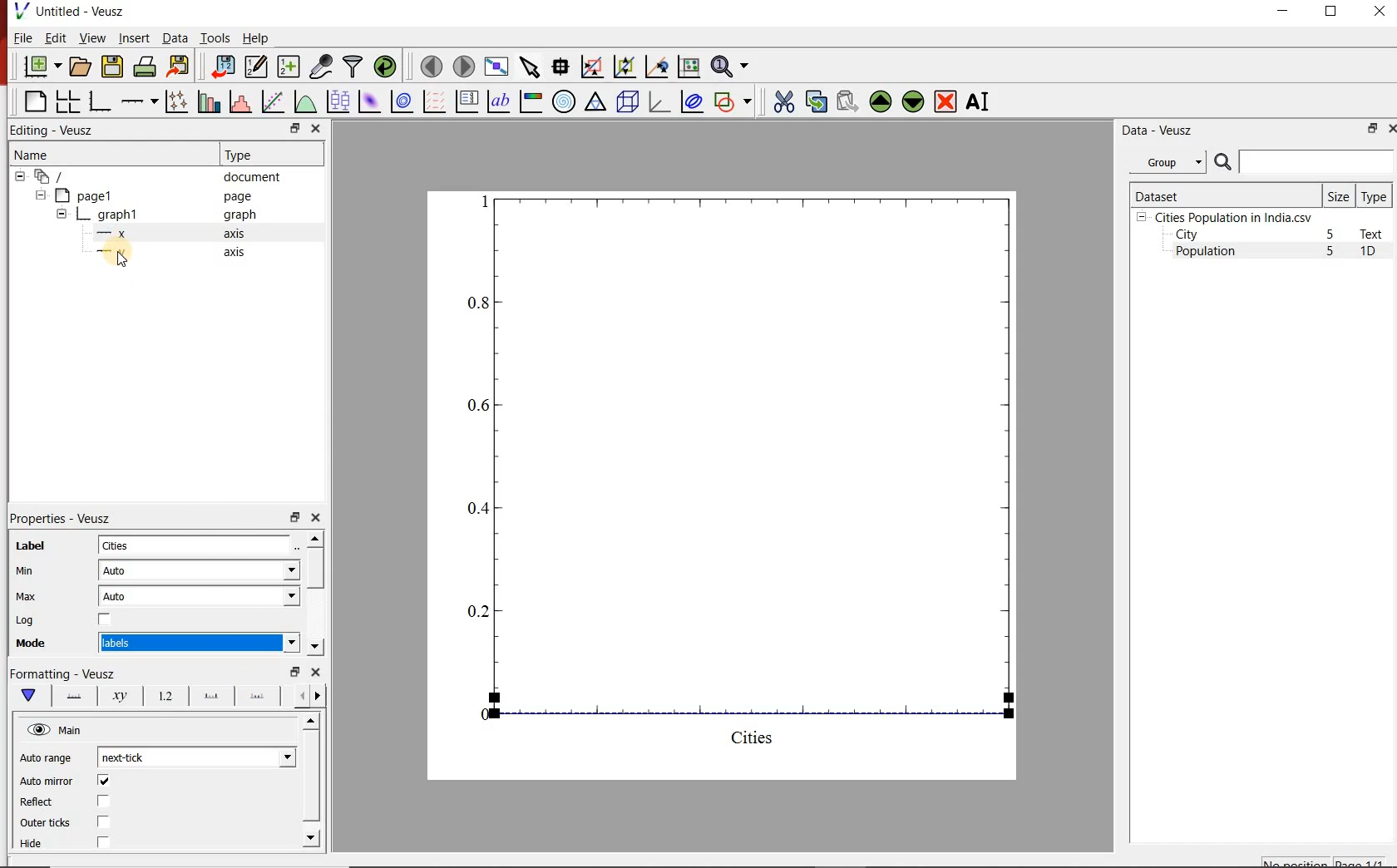 Image resolution: width=1397 pixels, height=868 pixels. What do you see at coordinates (1375, 195) in the screenshot?
I see `Type` at bounding box center [1375, 195].